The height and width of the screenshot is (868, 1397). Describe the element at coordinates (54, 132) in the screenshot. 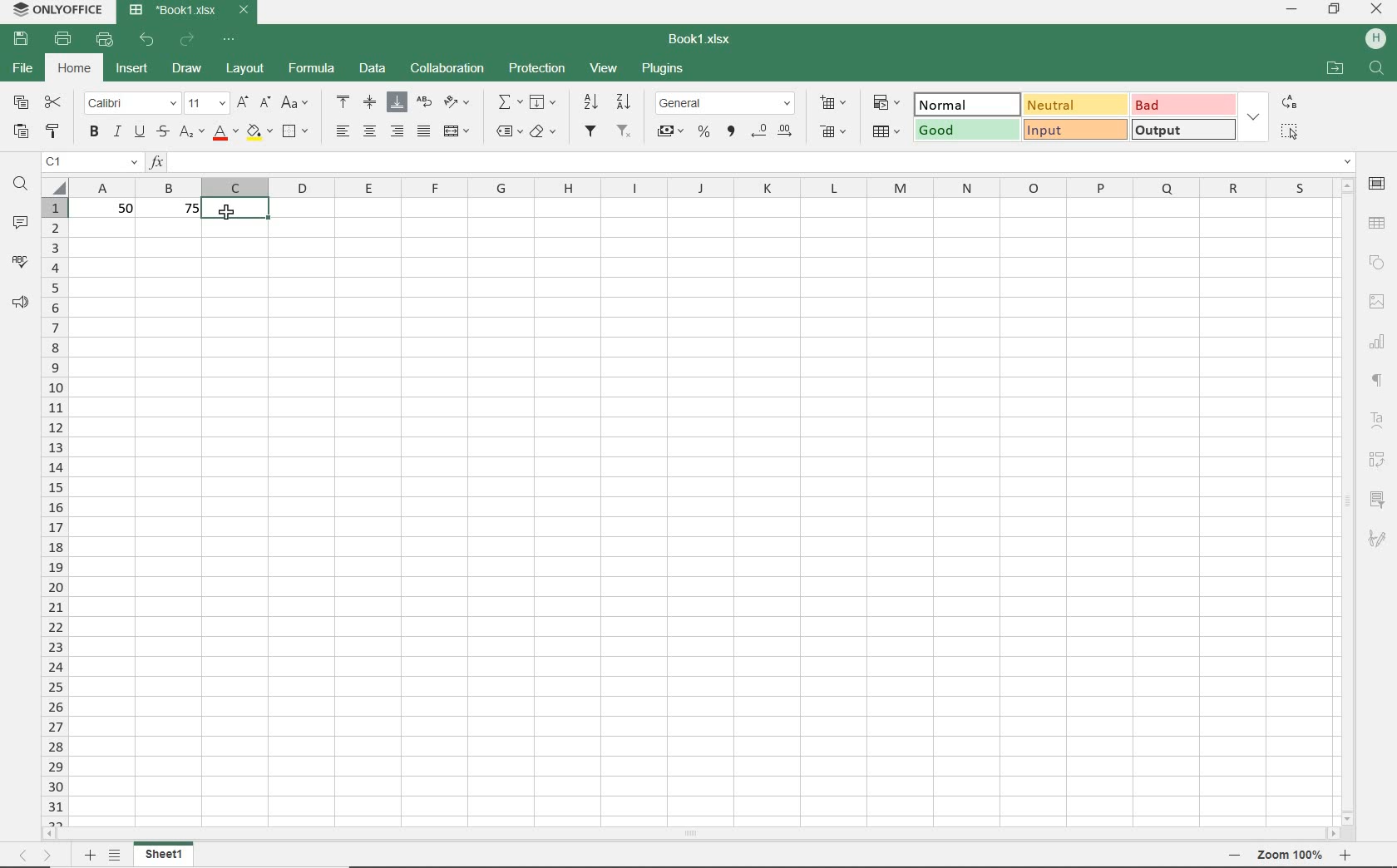

I see `copy style` at that location.